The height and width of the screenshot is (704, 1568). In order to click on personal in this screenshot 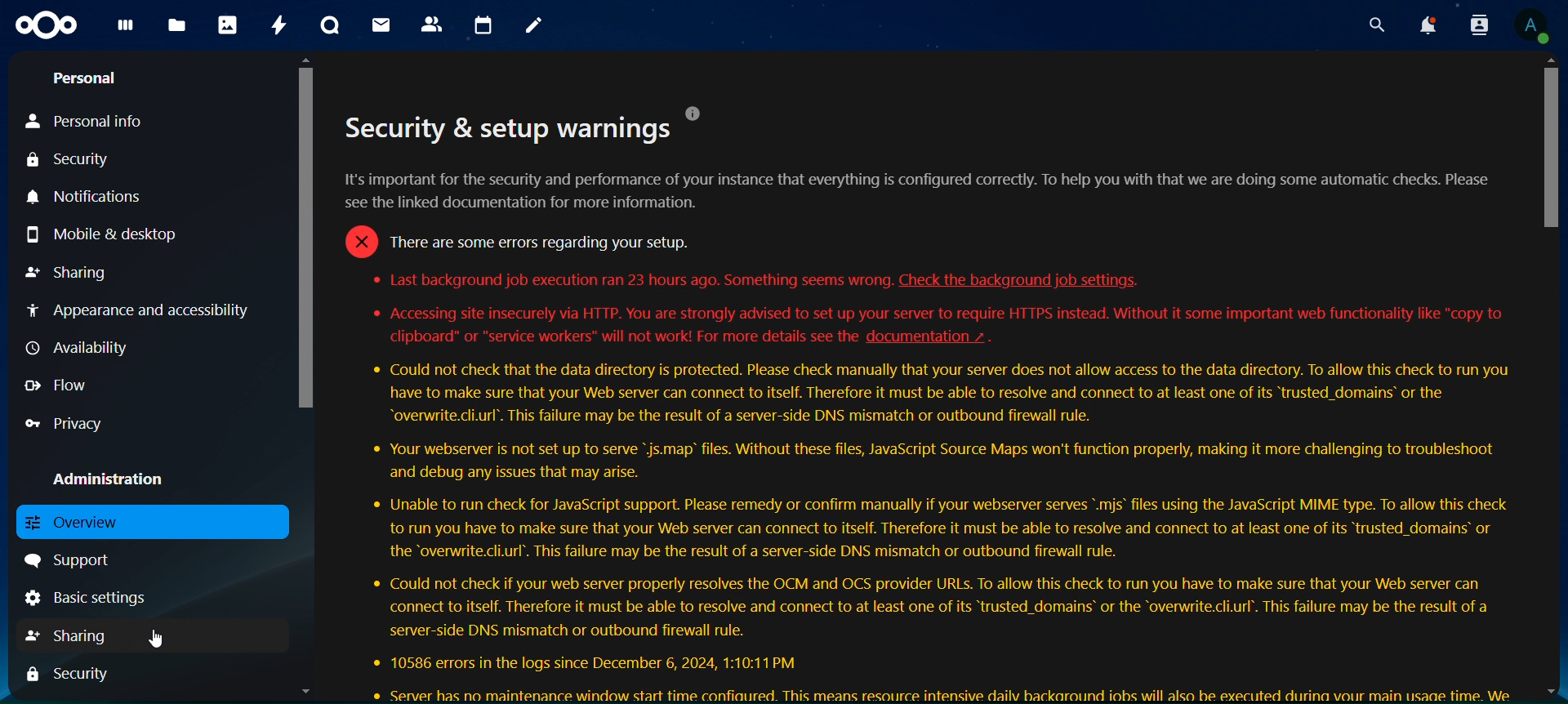, I will do `click(88, 77)`.